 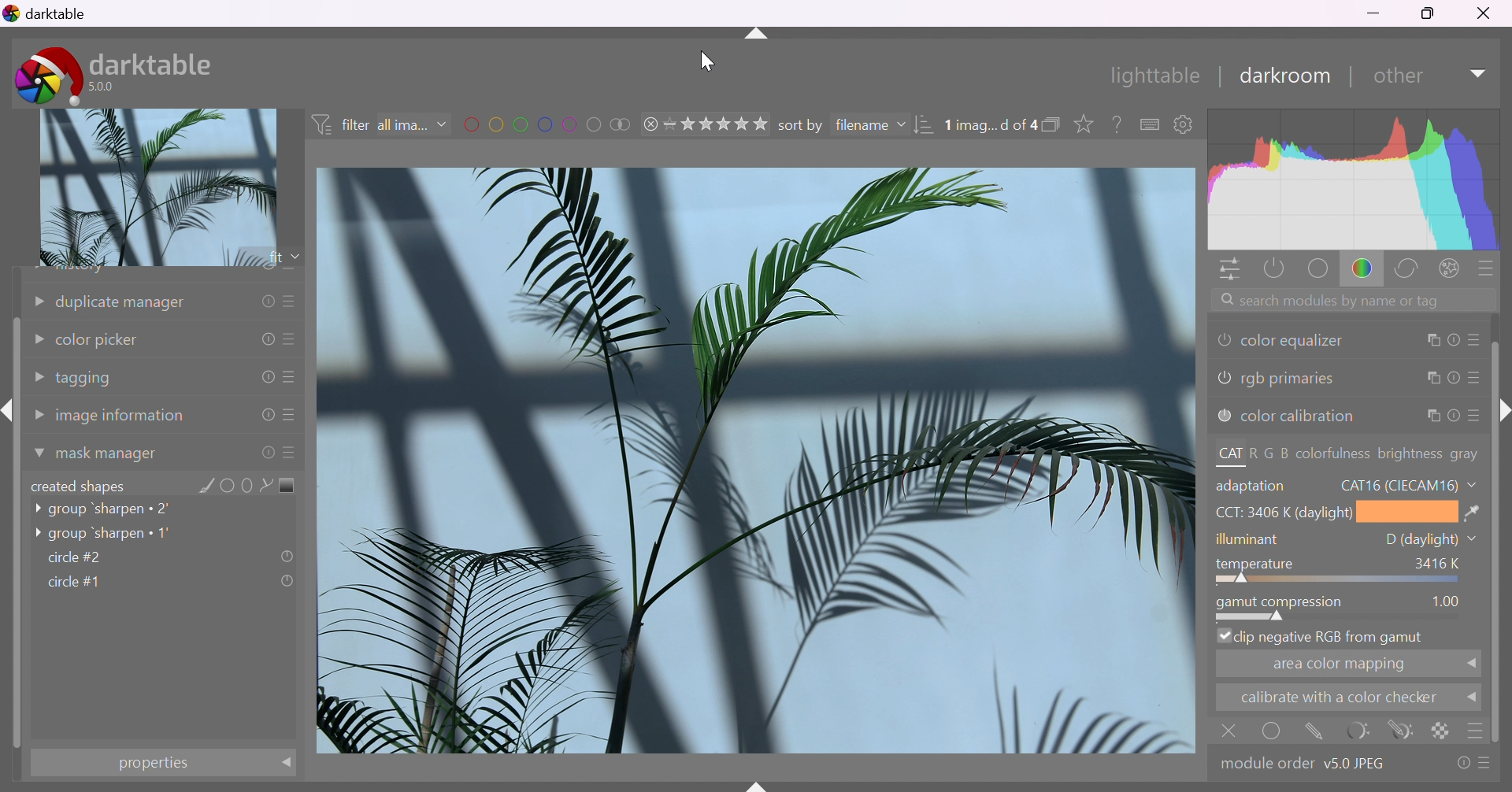 I want to click on collapse grouped image, so click(x=1052, y=126).